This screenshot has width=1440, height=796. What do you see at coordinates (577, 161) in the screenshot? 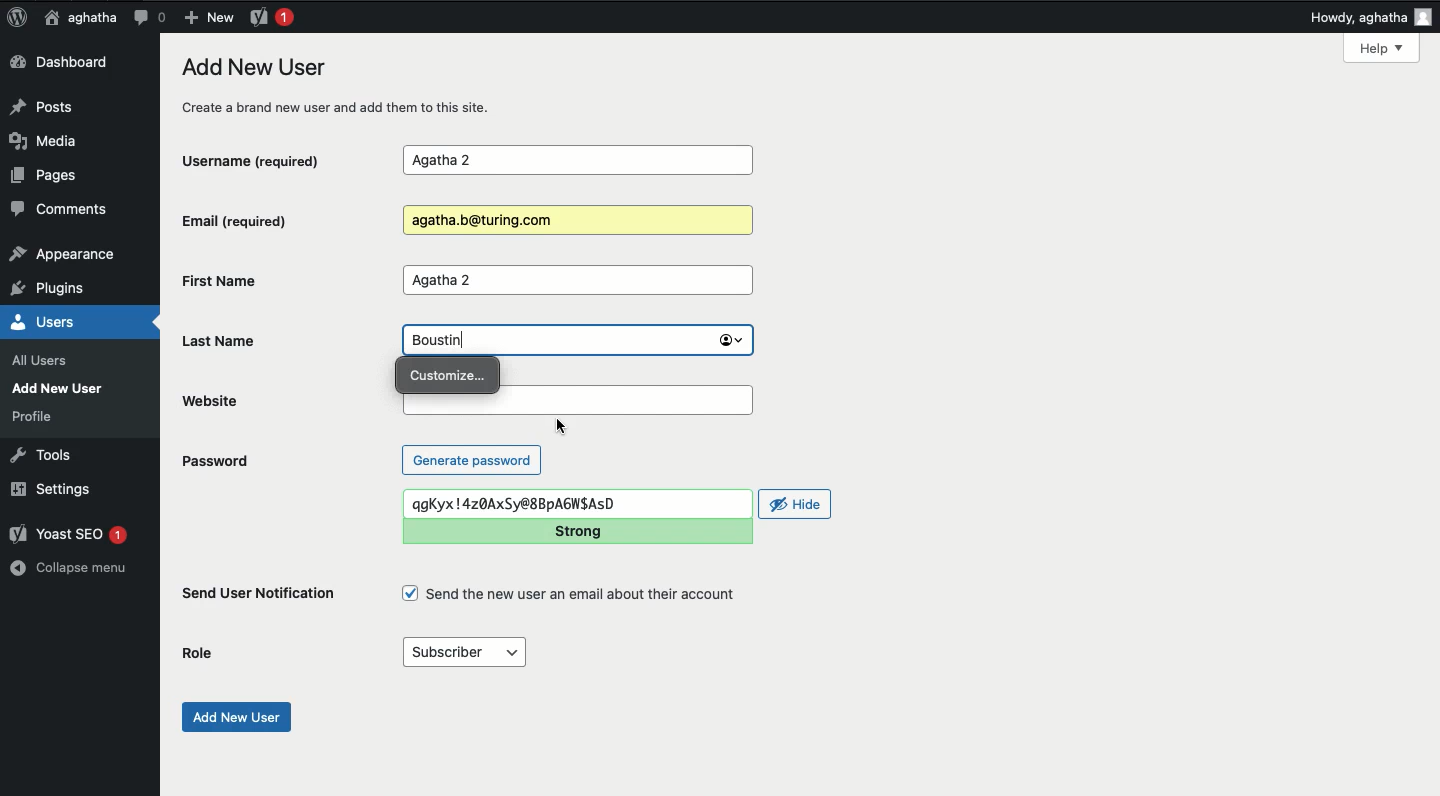
I see `Agatha 2` at bounding box center [577, 161].